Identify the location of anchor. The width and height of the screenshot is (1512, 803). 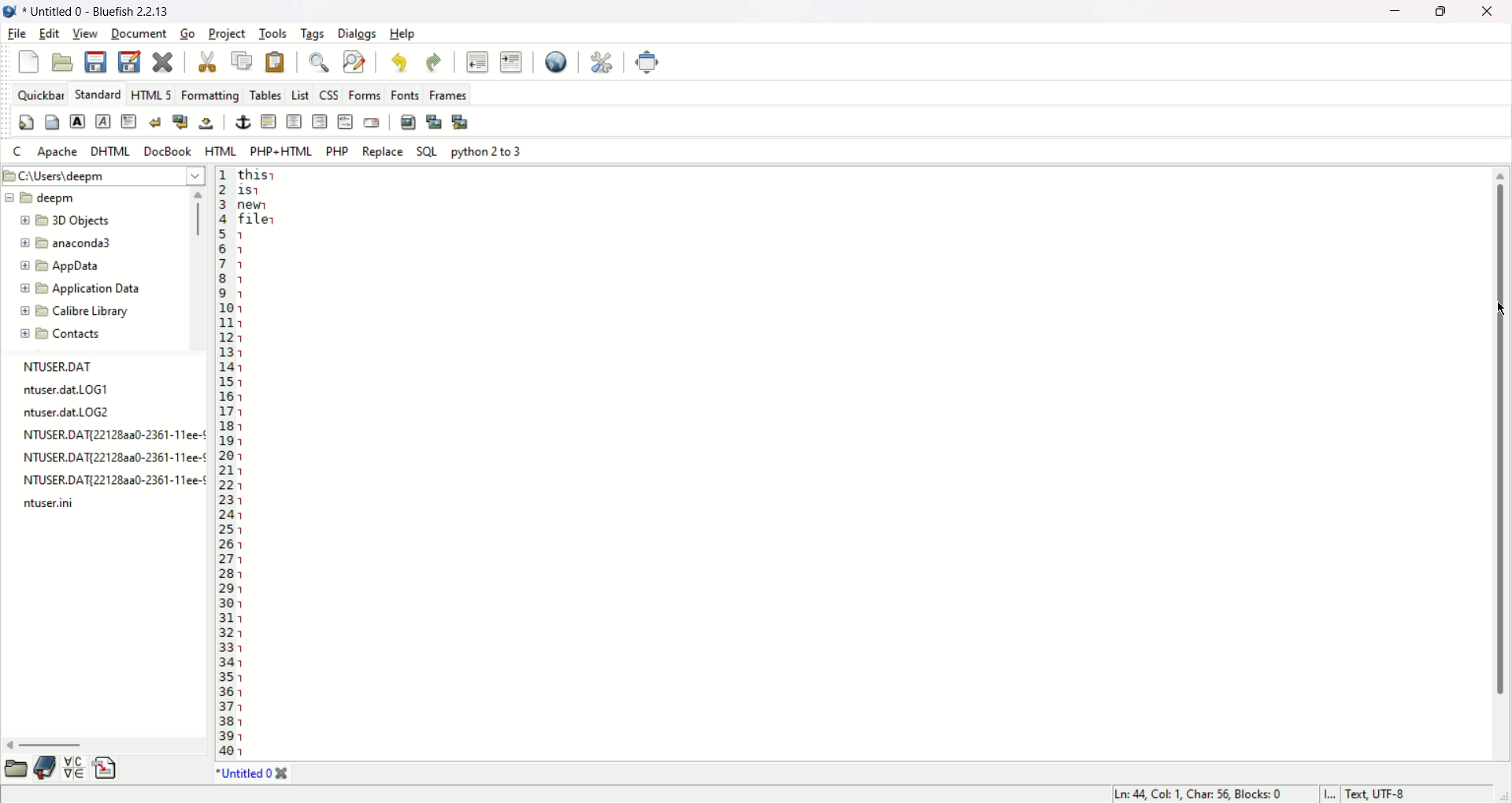
(243, 122).